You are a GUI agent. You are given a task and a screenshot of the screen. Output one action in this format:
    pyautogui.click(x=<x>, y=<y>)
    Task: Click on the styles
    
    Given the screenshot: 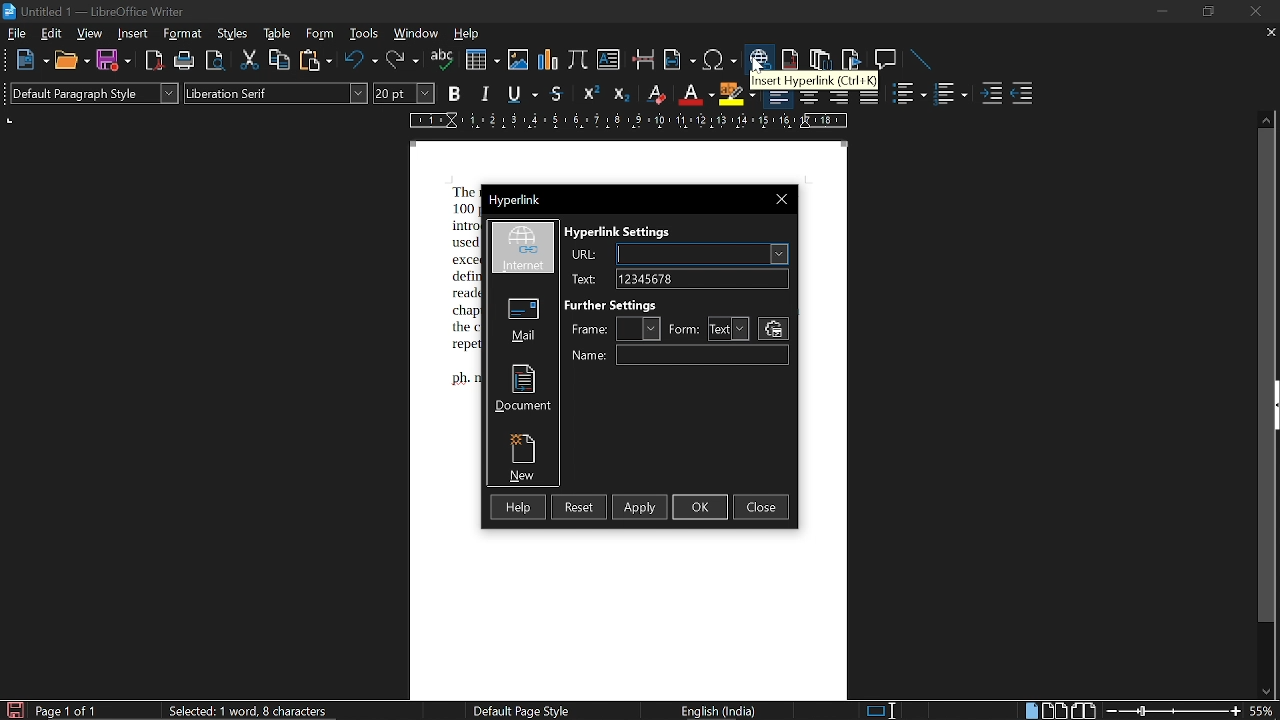 What is the action you would take?
    pyautogui.click(x=234, y=34)
    